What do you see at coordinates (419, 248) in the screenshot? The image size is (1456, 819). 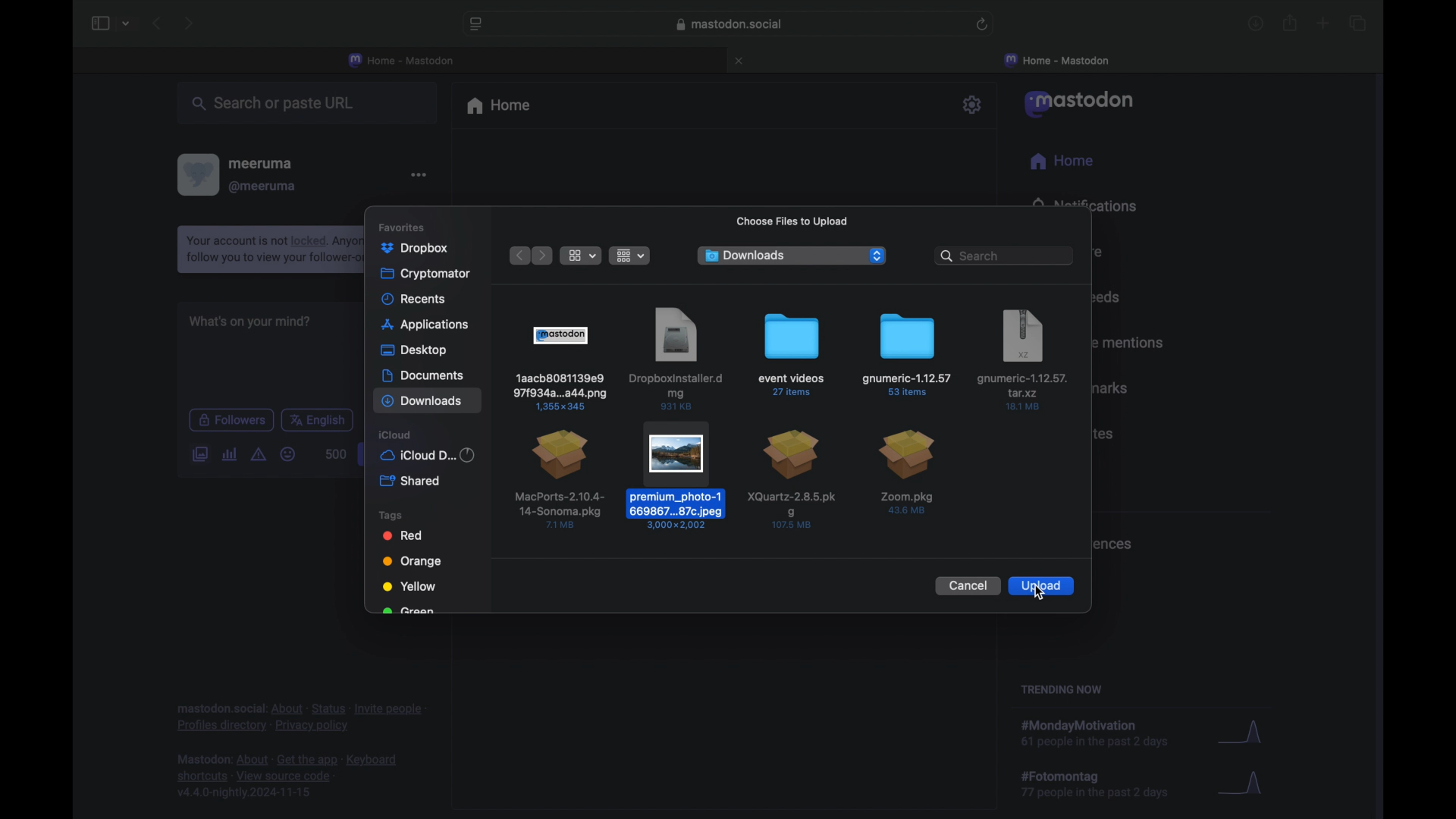 I see `photos` at bounding box center [419, 248].